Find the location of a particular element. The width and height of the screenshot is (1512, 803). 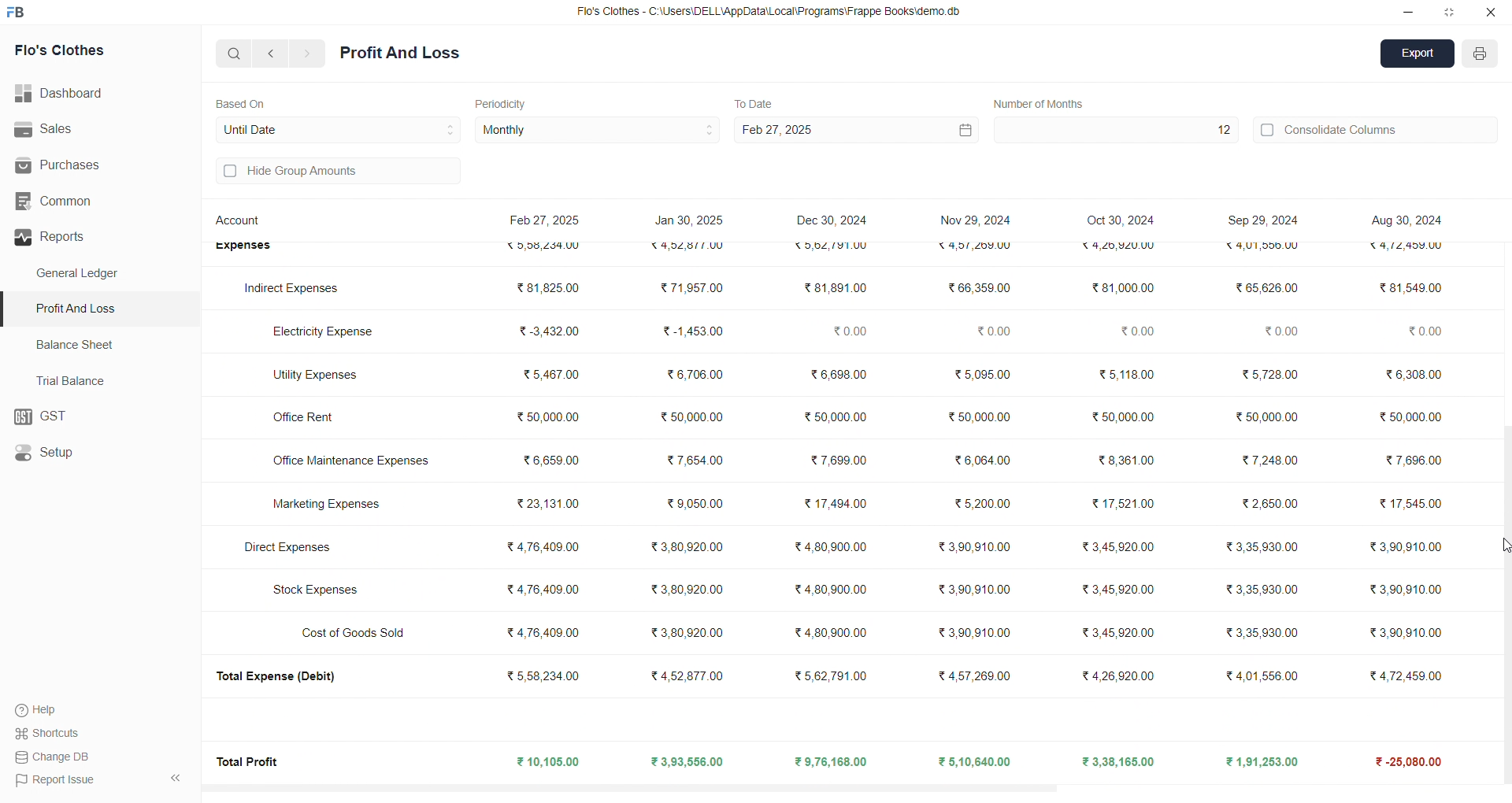

₹50,000.00 is located at coordinates (693, 414).